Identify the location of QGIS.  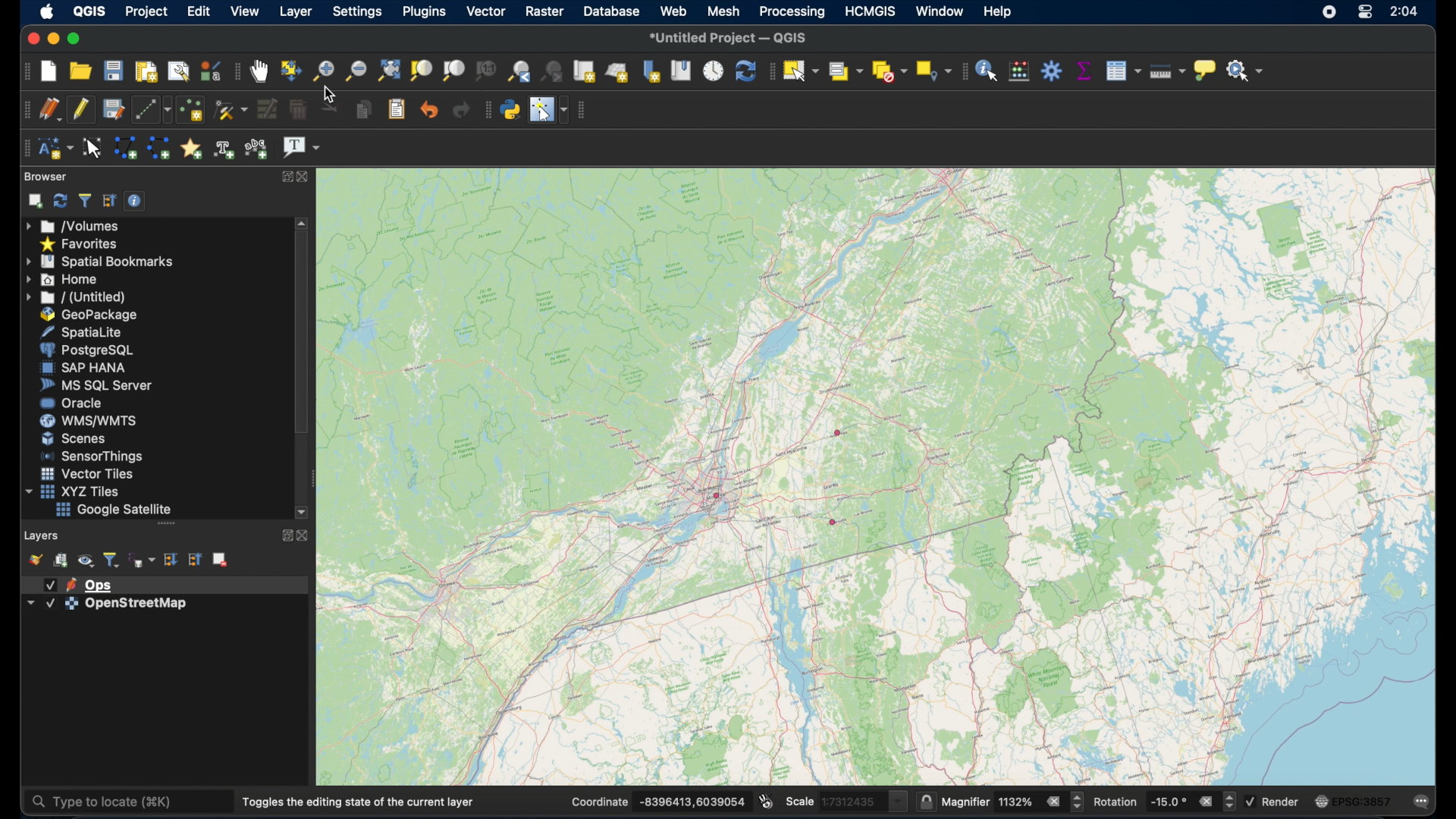
(92, 12).